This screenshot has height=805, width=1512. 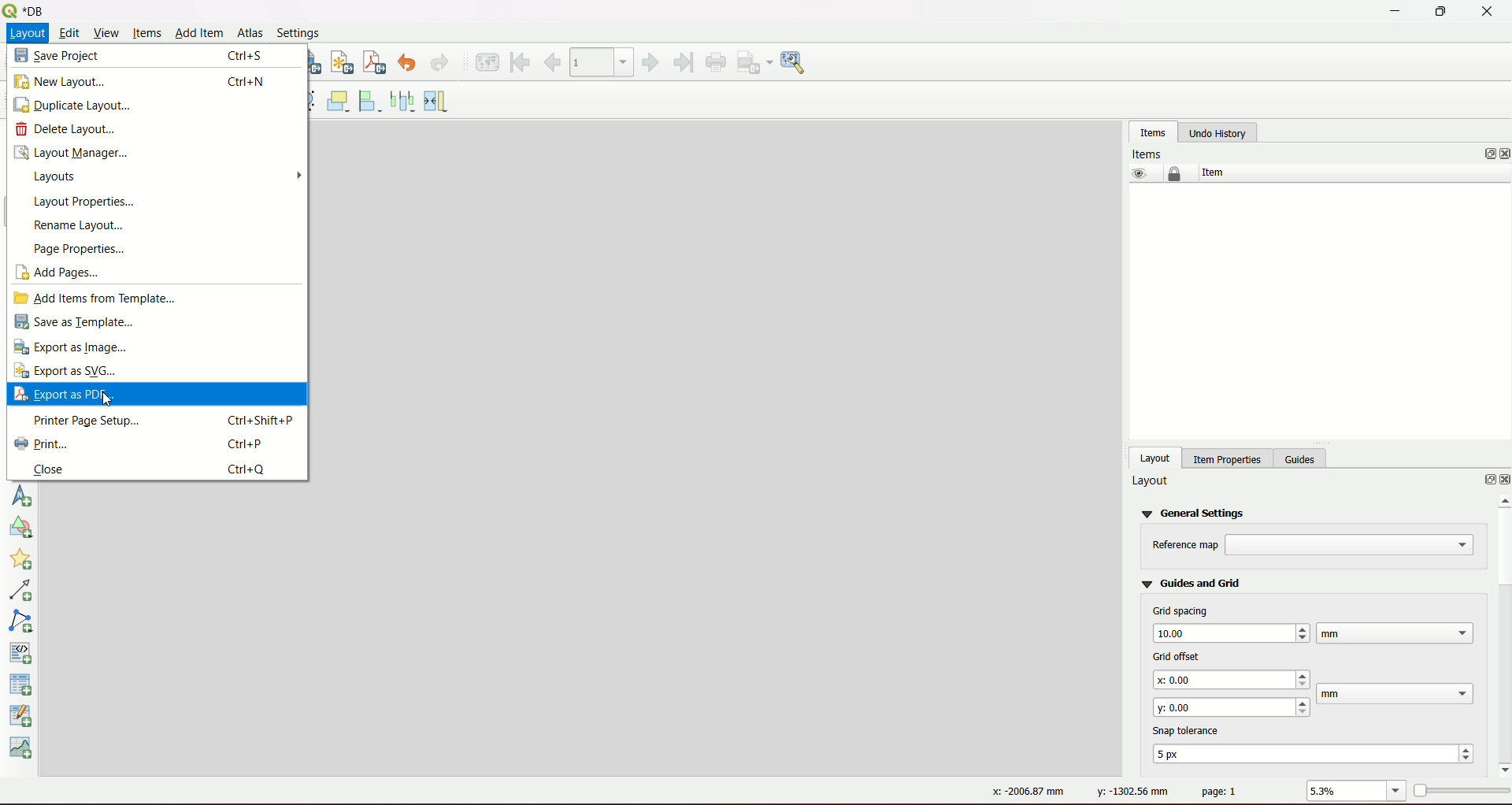 What do you see at coordinates (486, 63) in the screenshot?
I see `preview atlas` at bounding box center [486, 63].